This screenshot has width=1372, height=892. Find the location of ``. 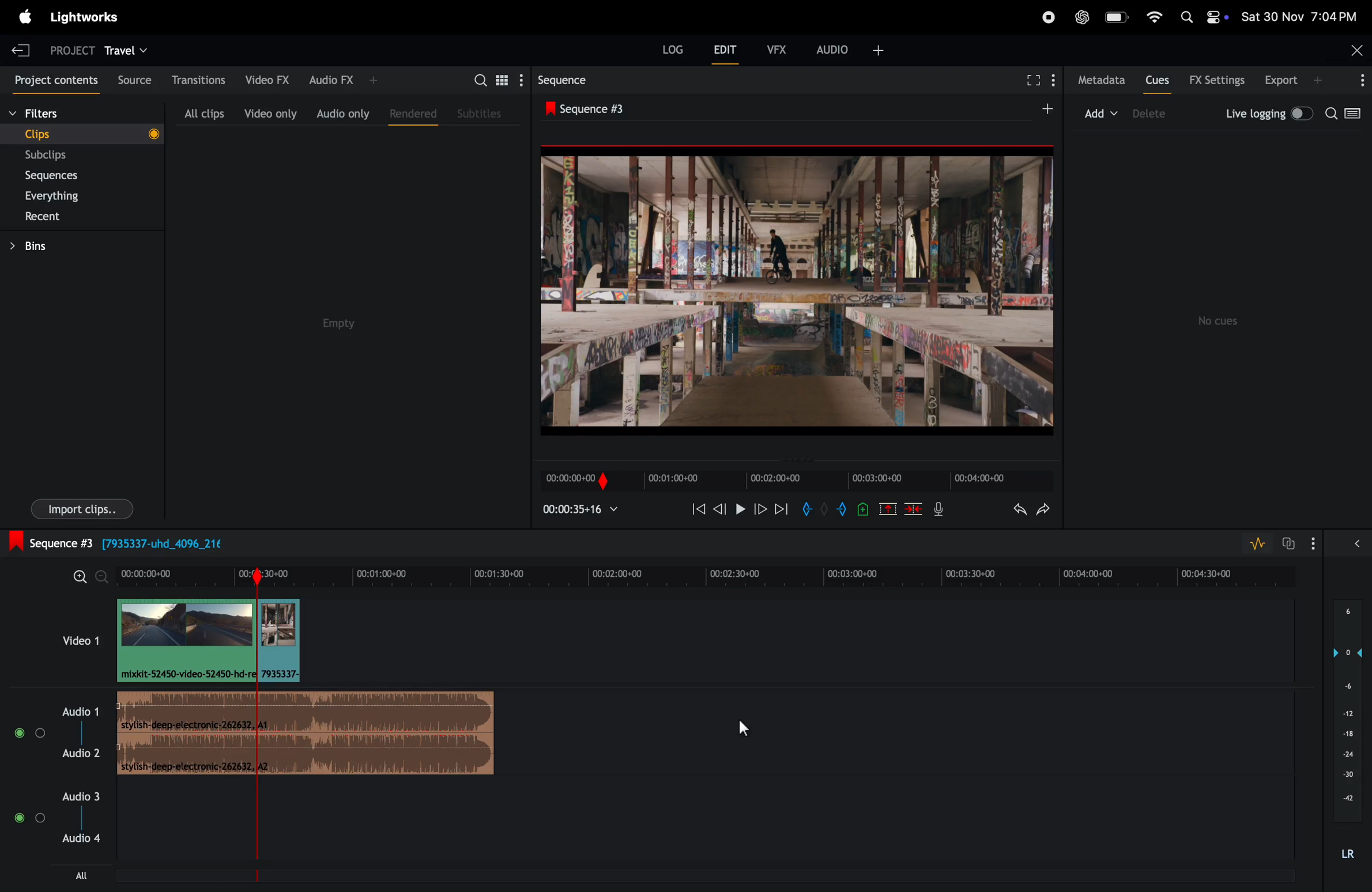

 is located at coordinates (864, 508).